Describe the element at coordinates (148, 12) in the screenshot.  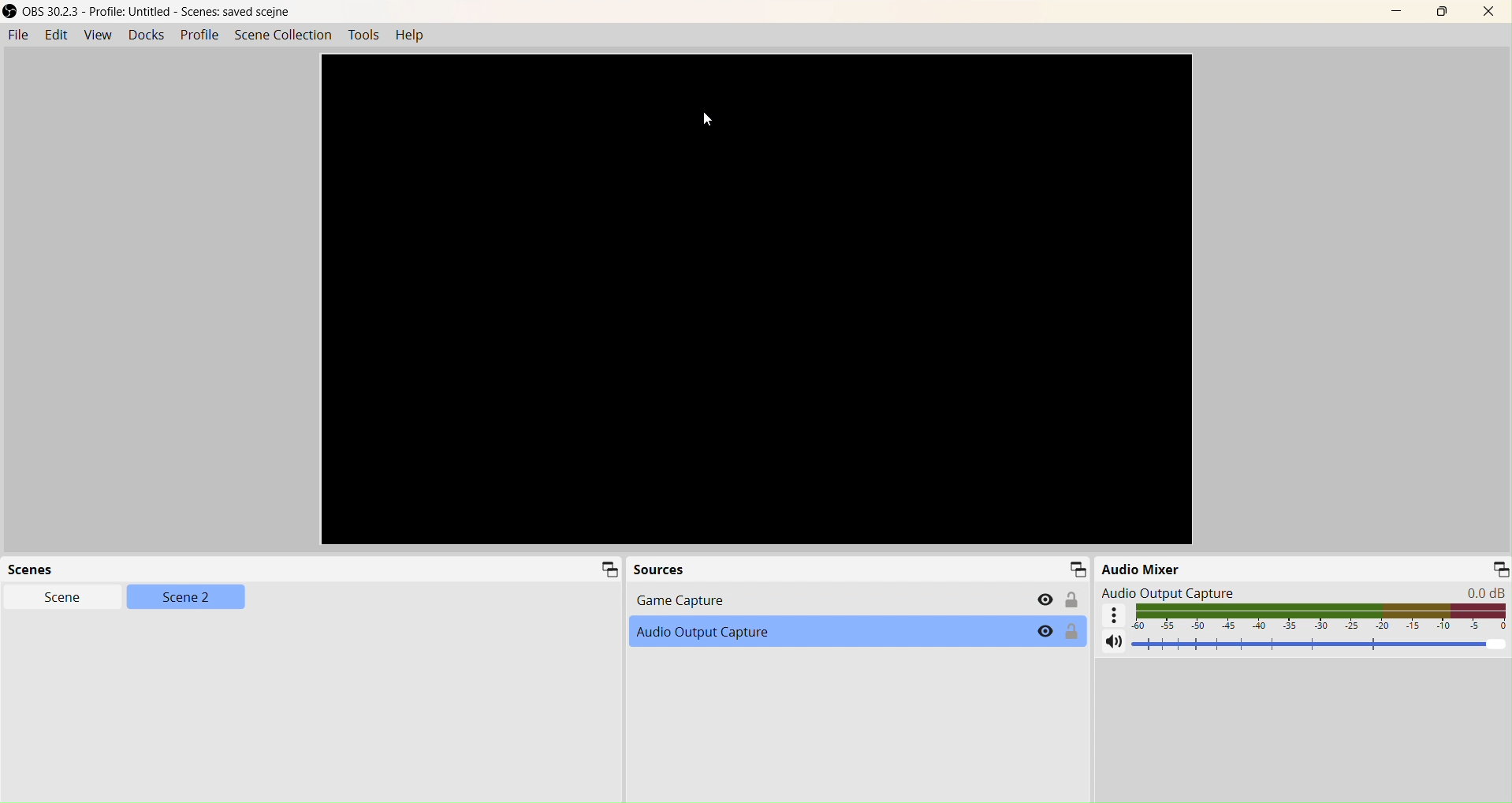
I see `pe OBS 30.2.3 - Profile: Untitled - Scenes: saved scejne` at that location.